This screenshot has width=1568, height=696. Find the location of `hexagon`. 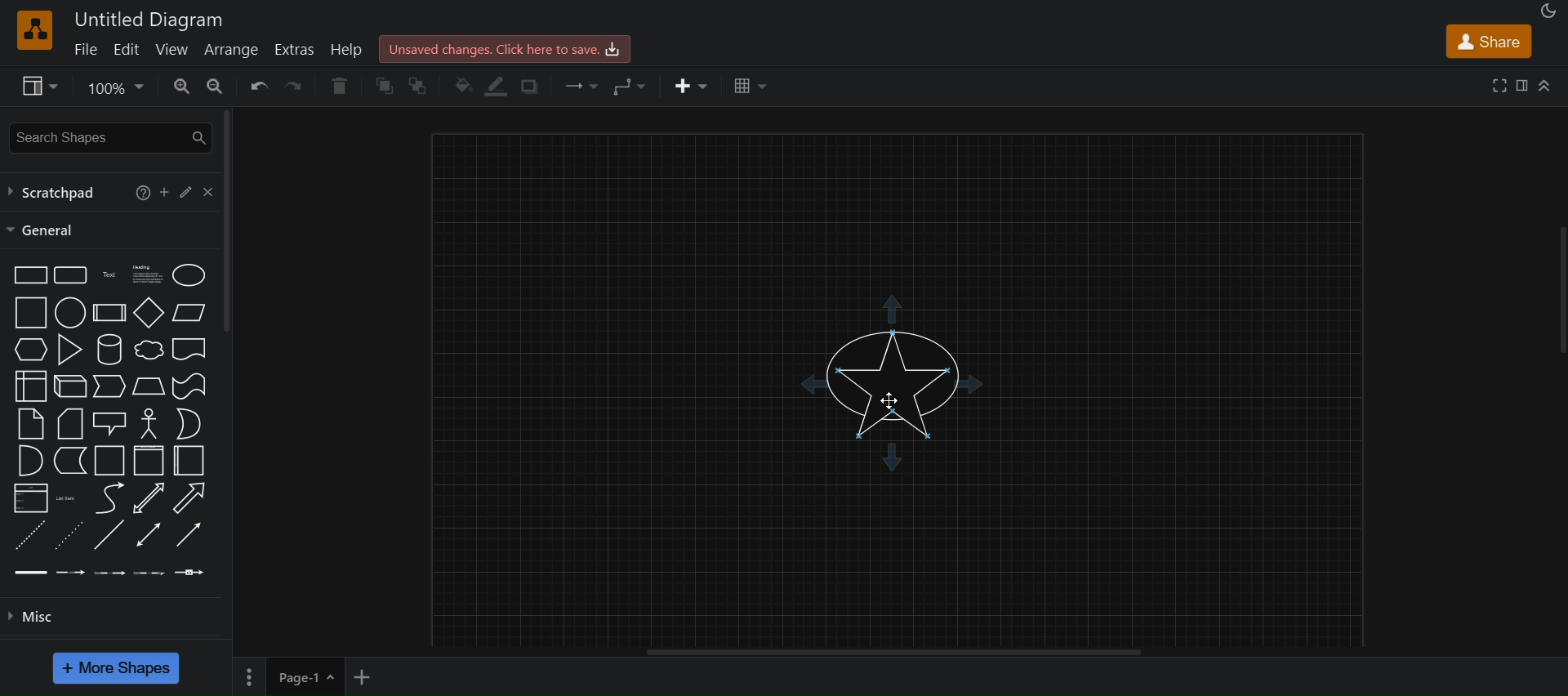

hexagon is located at coordinates (32, 348).